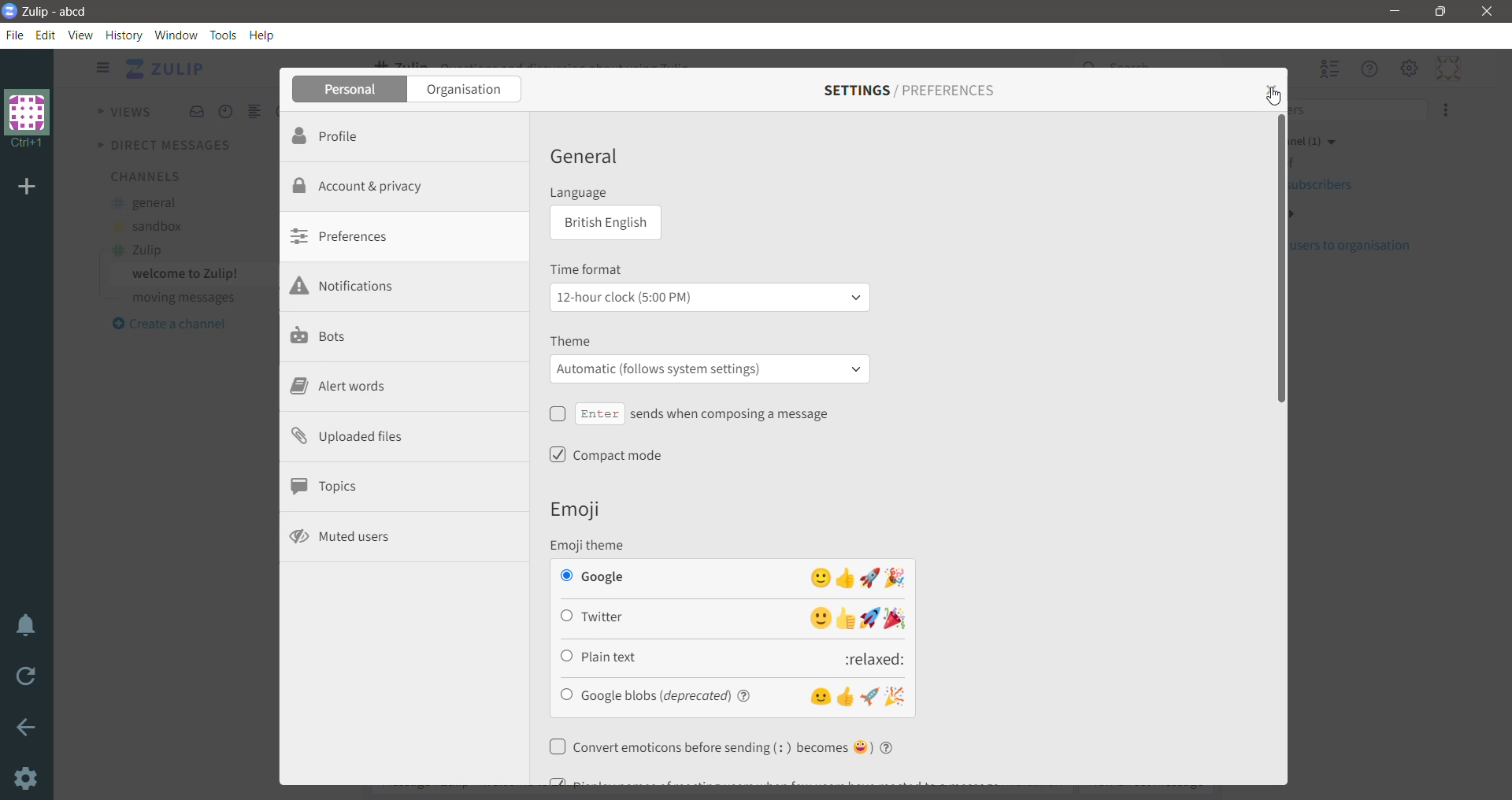 The height and width of the screenshot is (800, 1512). What do you see at coordinates (143, 203) in the screenshot?
I see `general` at bounding box center [143, 203].